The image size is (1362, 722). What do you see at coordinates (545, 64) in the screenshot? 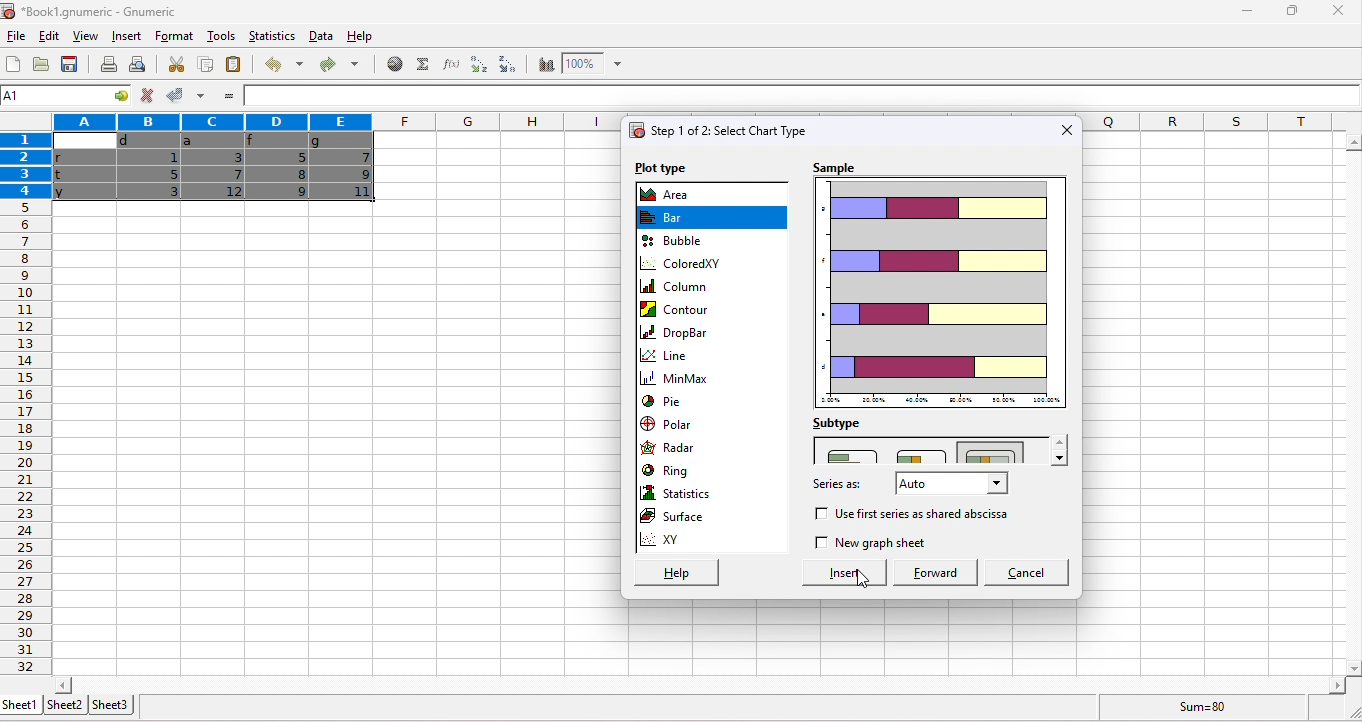
I see `chart` at bounding box center [545, 64].